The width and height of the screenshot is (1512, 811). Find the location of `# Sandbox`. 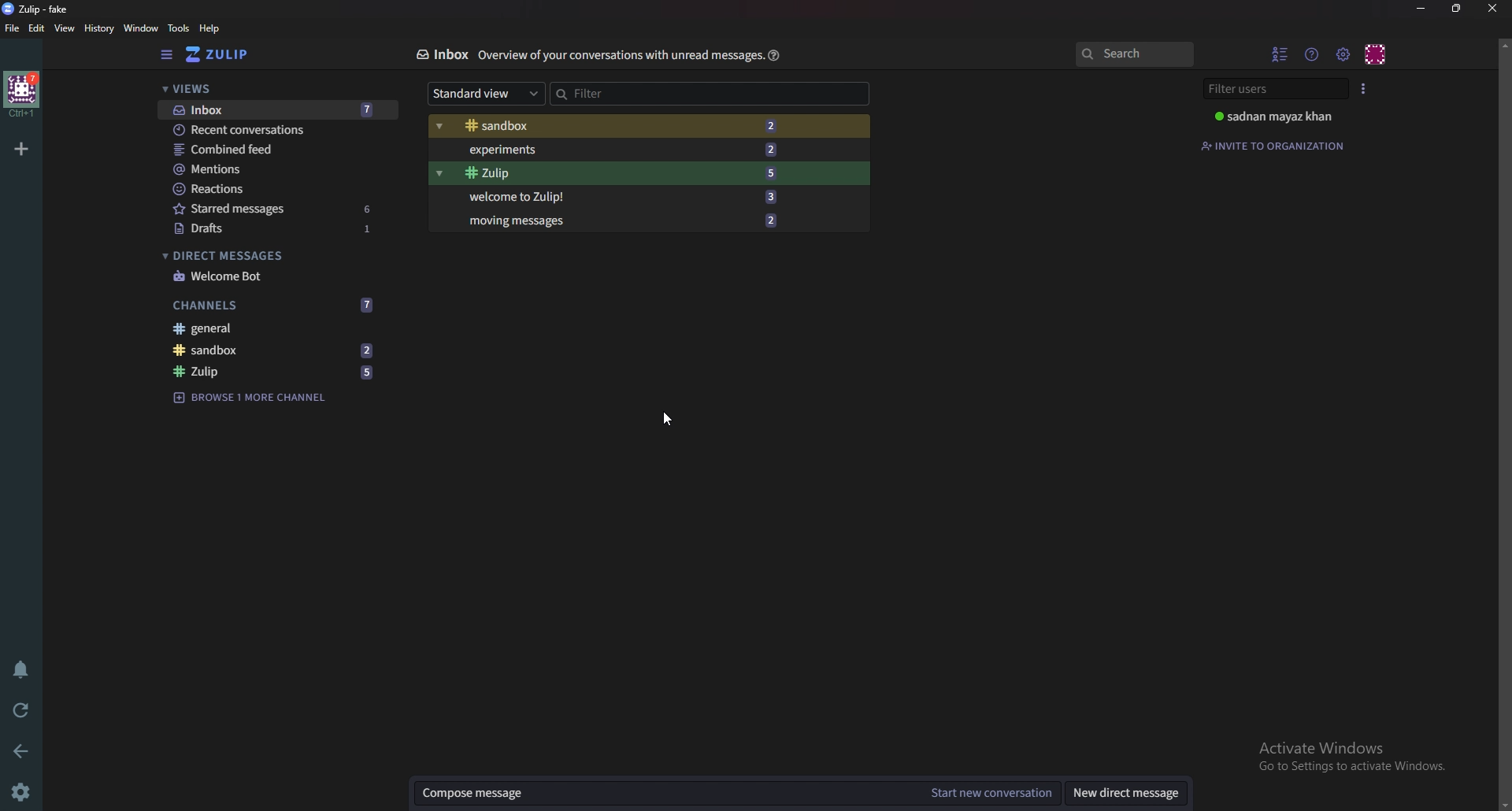

# Sandbox is located at coordinates (231, 351).